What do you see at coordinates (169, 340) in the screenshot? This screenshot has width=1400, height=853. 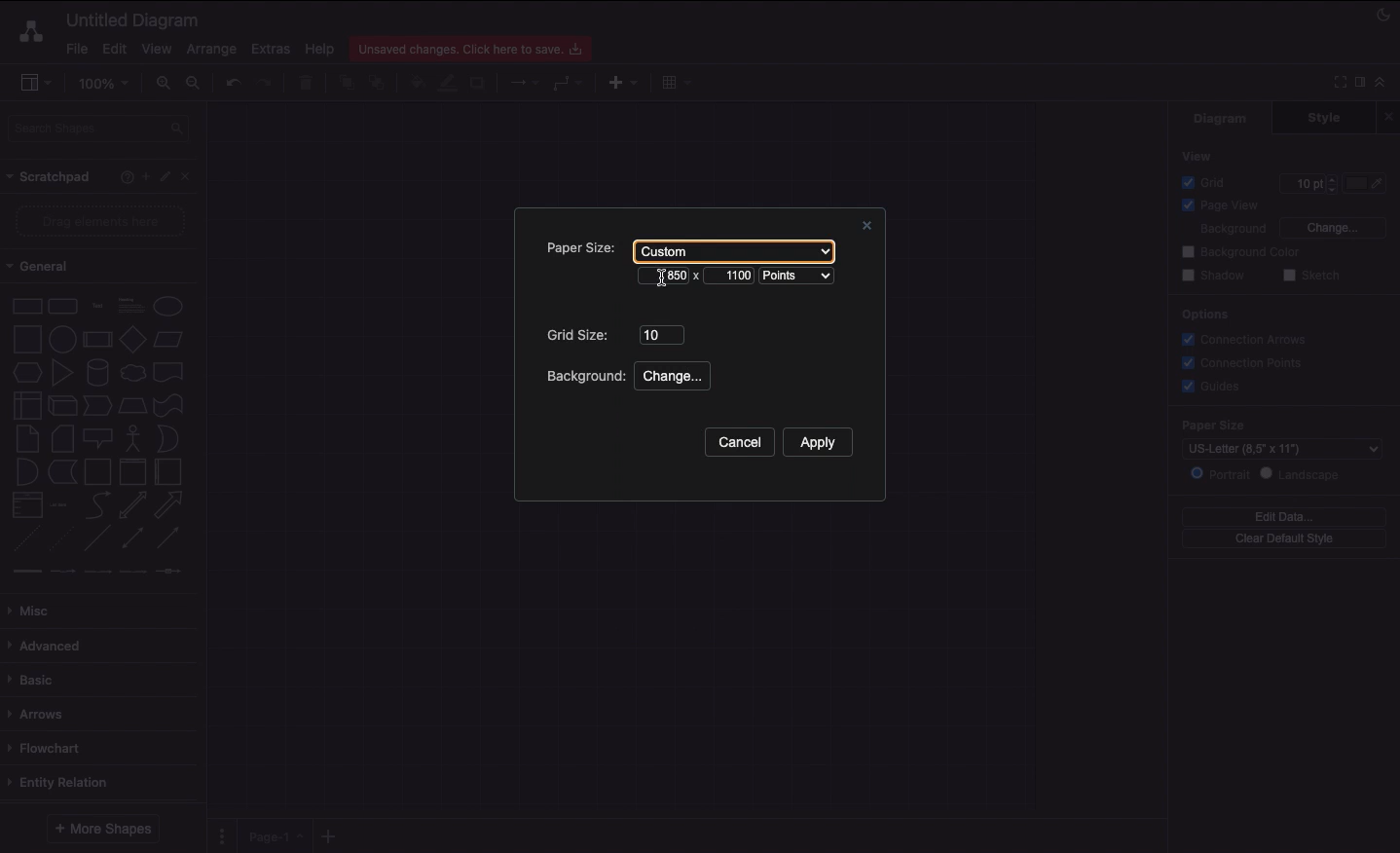 I see `Parallelogram` at bounding box center [169, 340].